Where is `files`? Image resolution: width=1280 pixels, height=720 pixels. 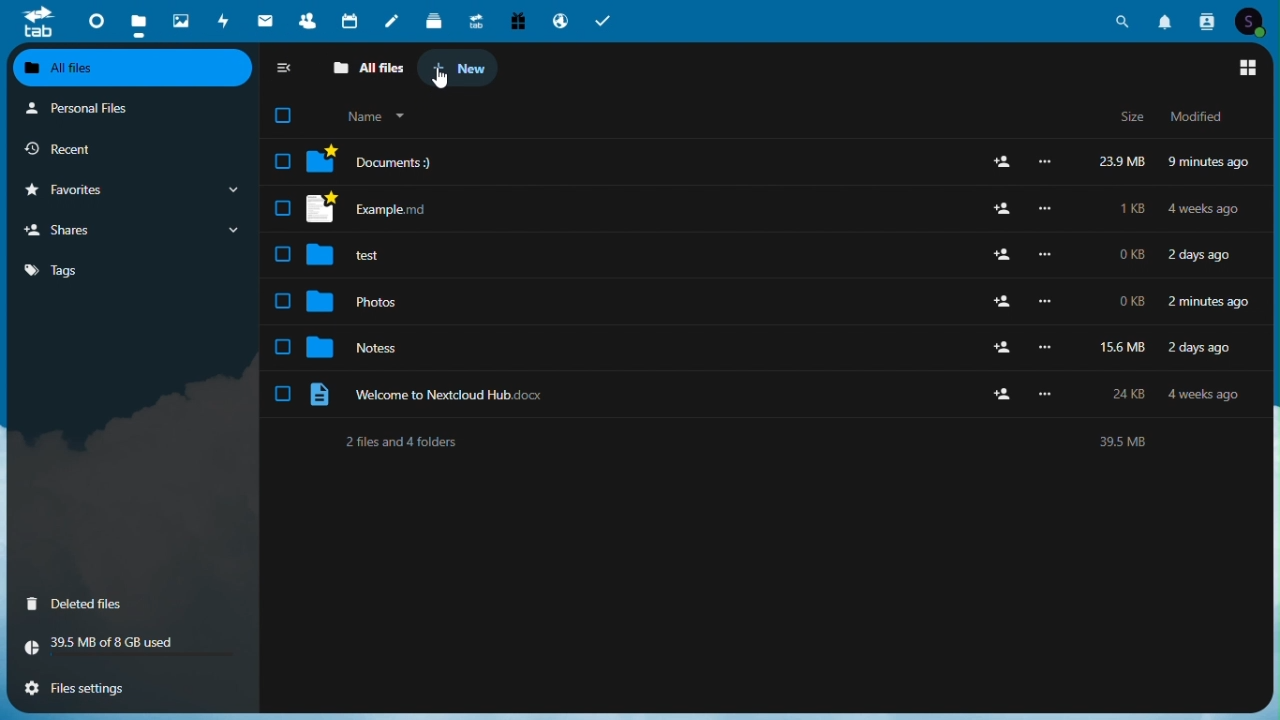
files is located at coordinates (140, 19).